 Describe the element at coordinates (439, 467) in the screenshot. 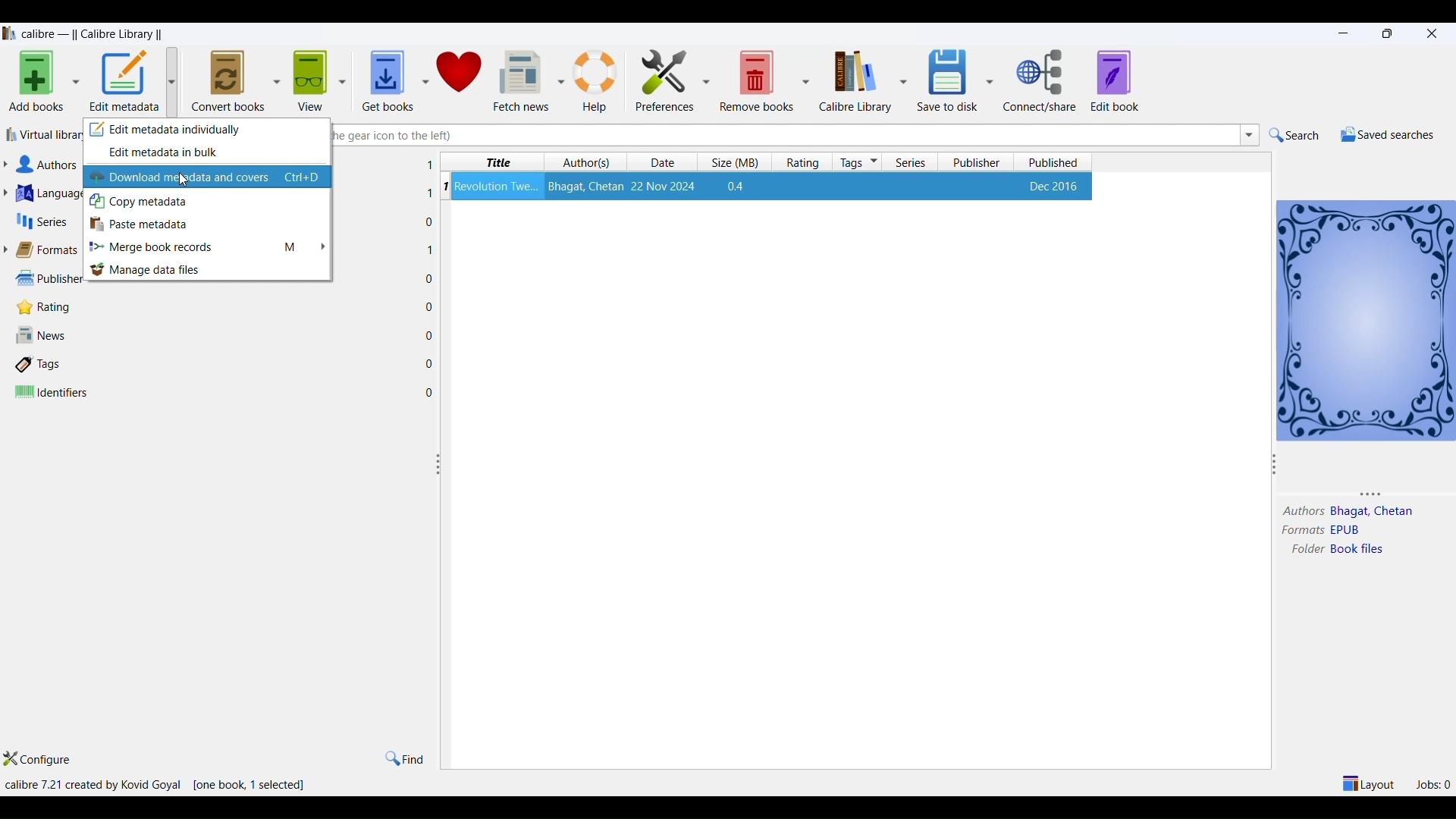

I see `resize` at that location.